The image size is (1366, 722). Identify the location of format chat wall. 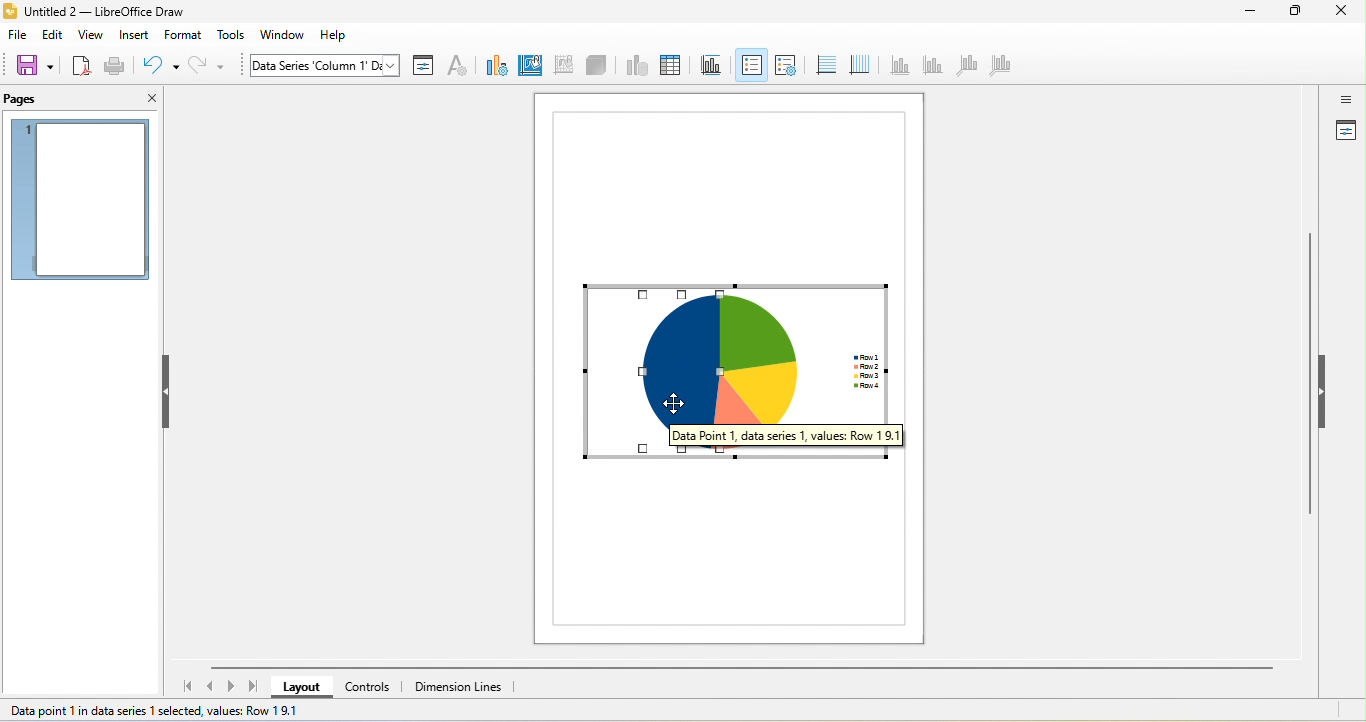
(561, 64).